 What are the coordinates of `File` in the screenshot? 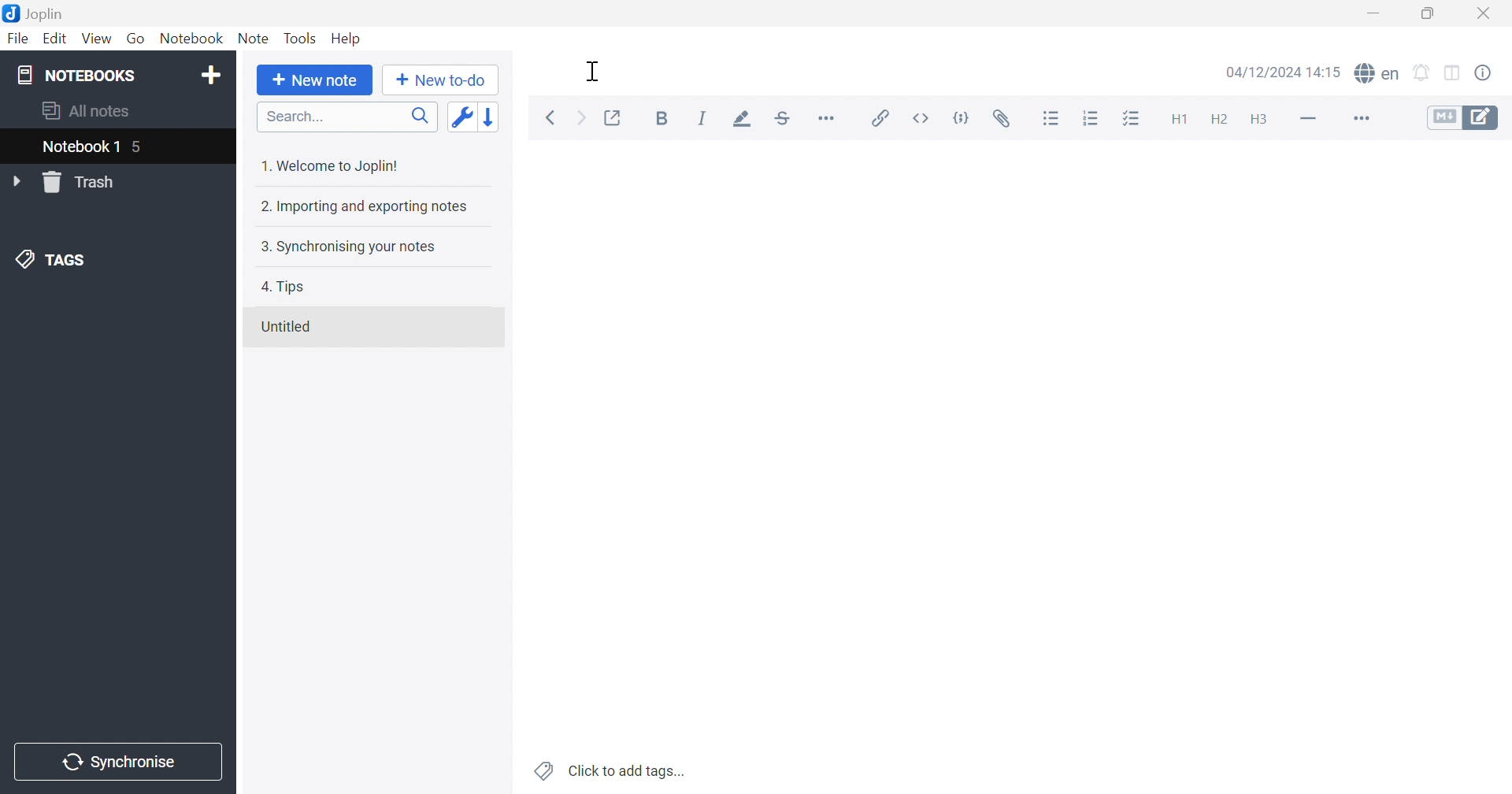 It's located at (19, 39).